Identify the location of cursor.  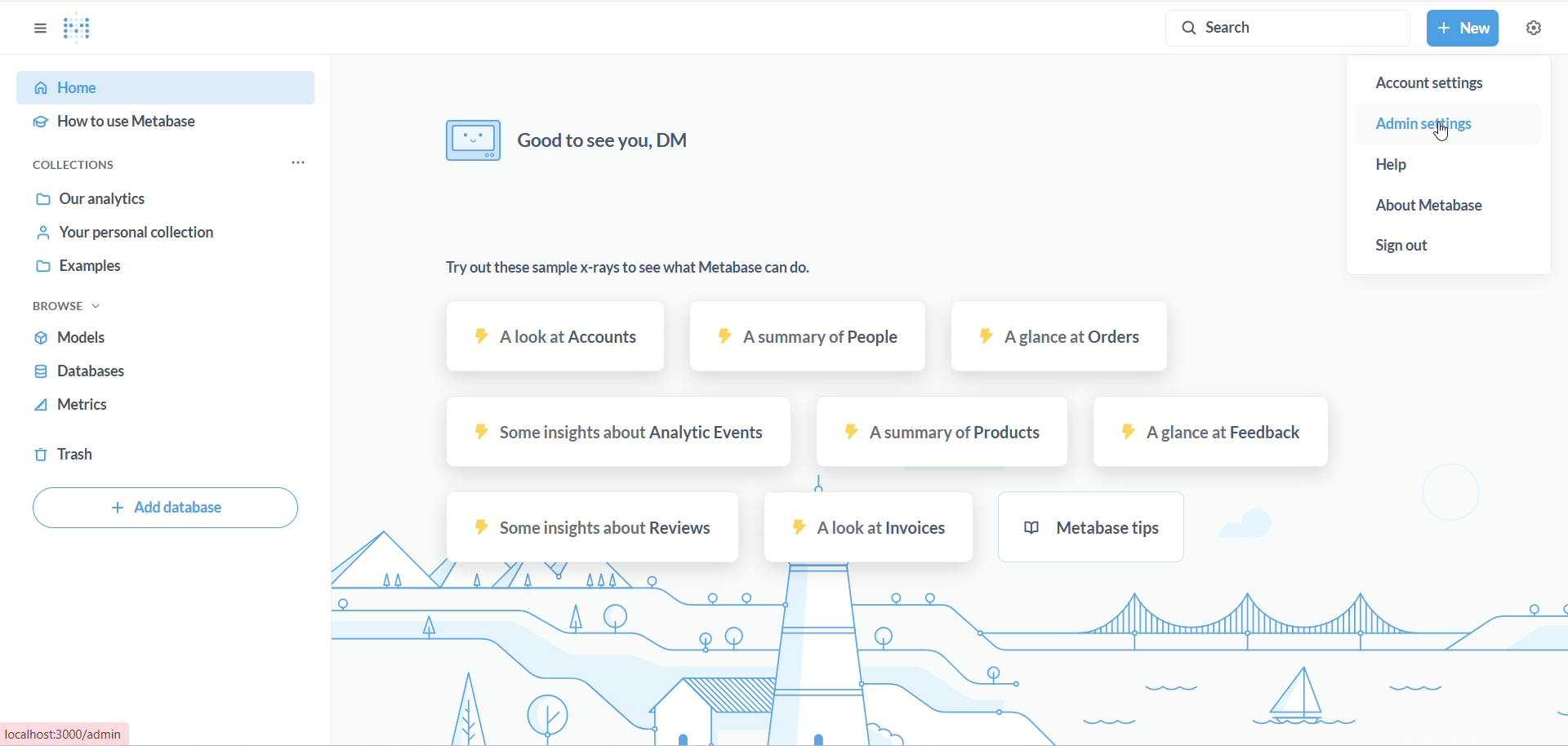
(1449, 133).